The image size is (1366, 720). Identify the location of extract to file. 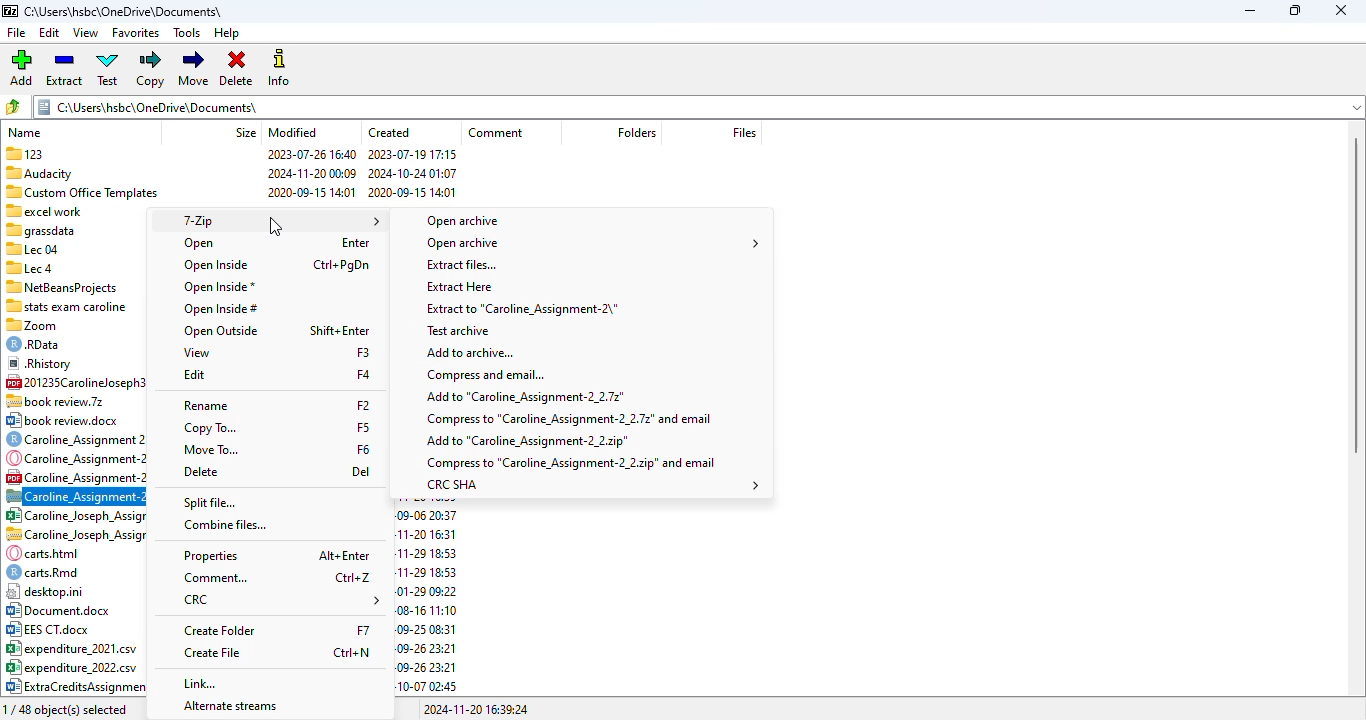
(522, 309).